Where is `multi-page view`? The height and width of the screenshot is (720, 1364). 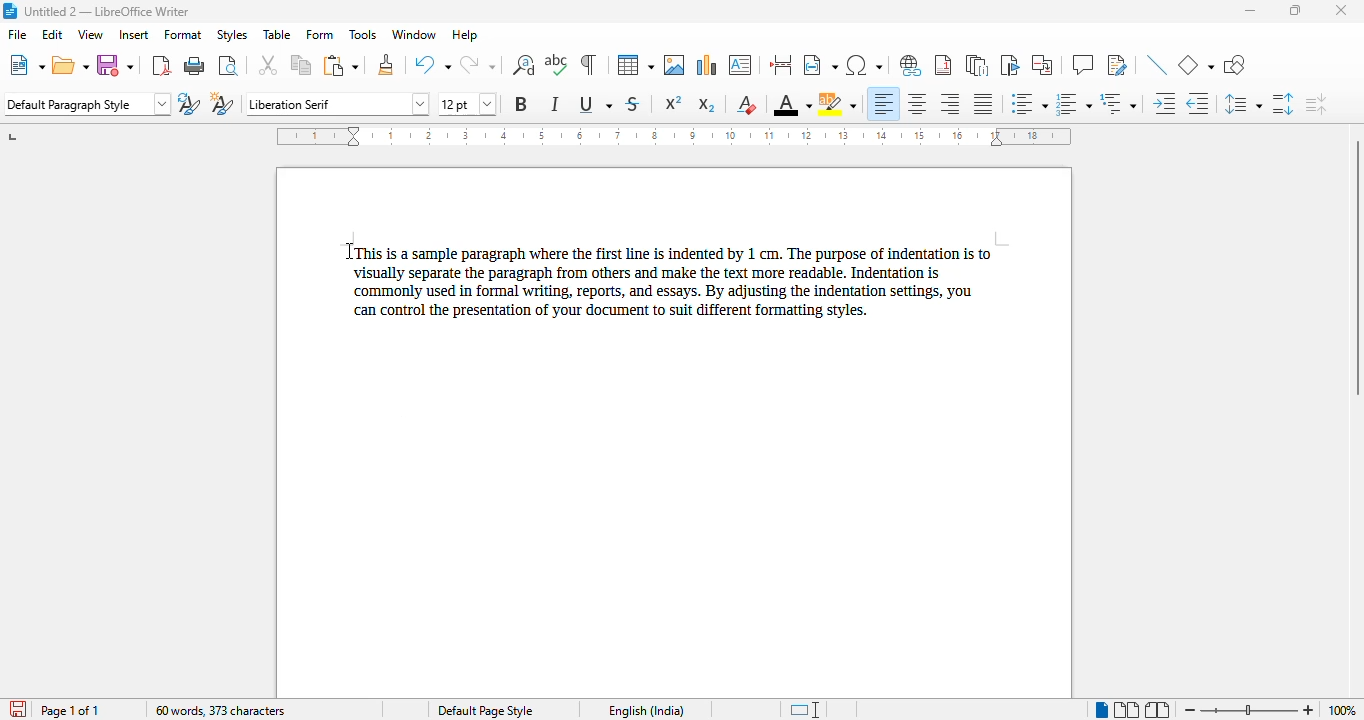 multi-page view is located at coordinates (1127, 709).